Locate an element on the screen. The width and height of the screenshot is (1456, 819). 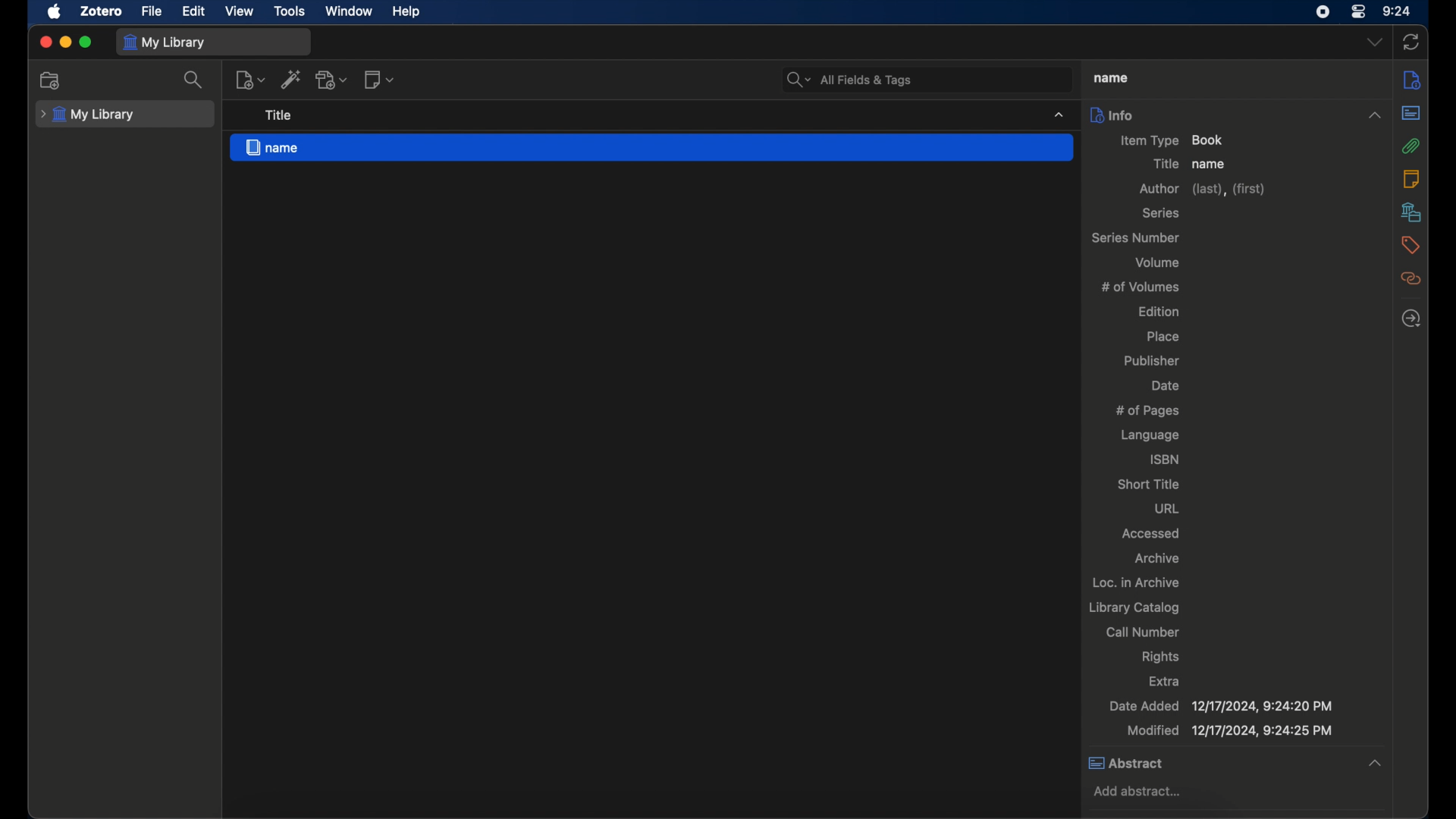
place is located at coordinates (1164, 336).